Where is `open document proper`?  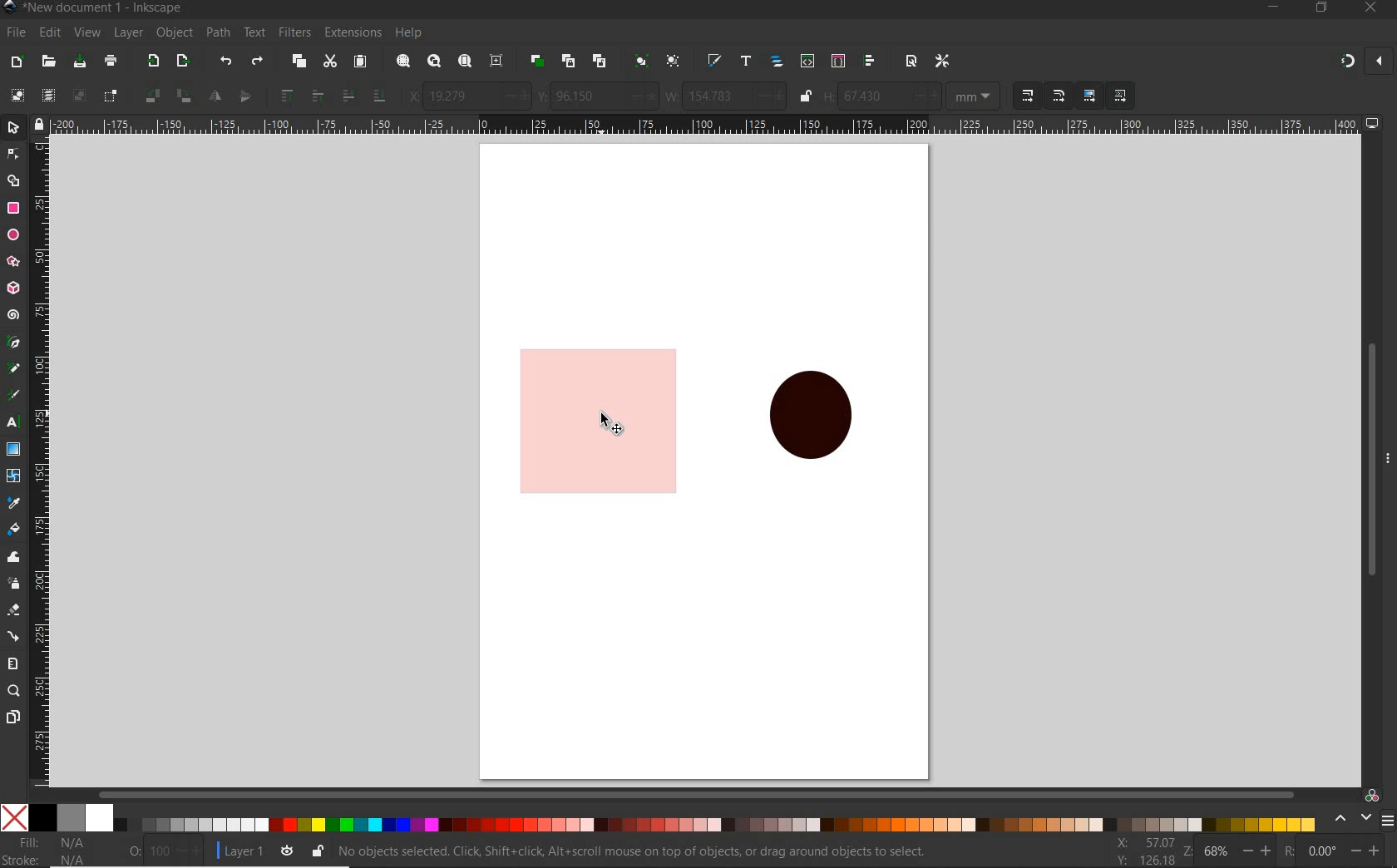
open document proper is located at coordinates (913, 62).